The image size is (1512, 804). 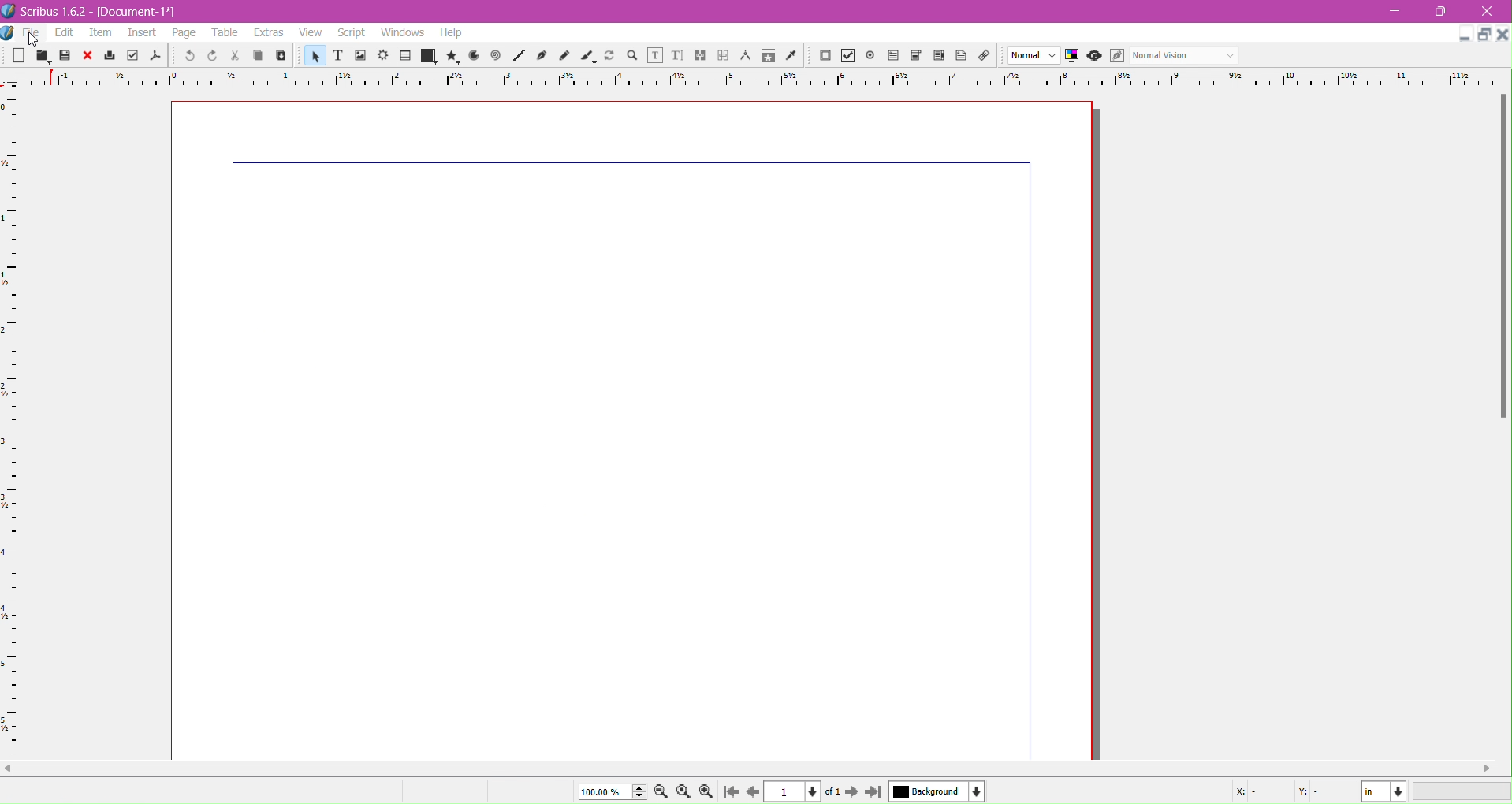 I want to click on bezier curve, so click(x=543, y=56).